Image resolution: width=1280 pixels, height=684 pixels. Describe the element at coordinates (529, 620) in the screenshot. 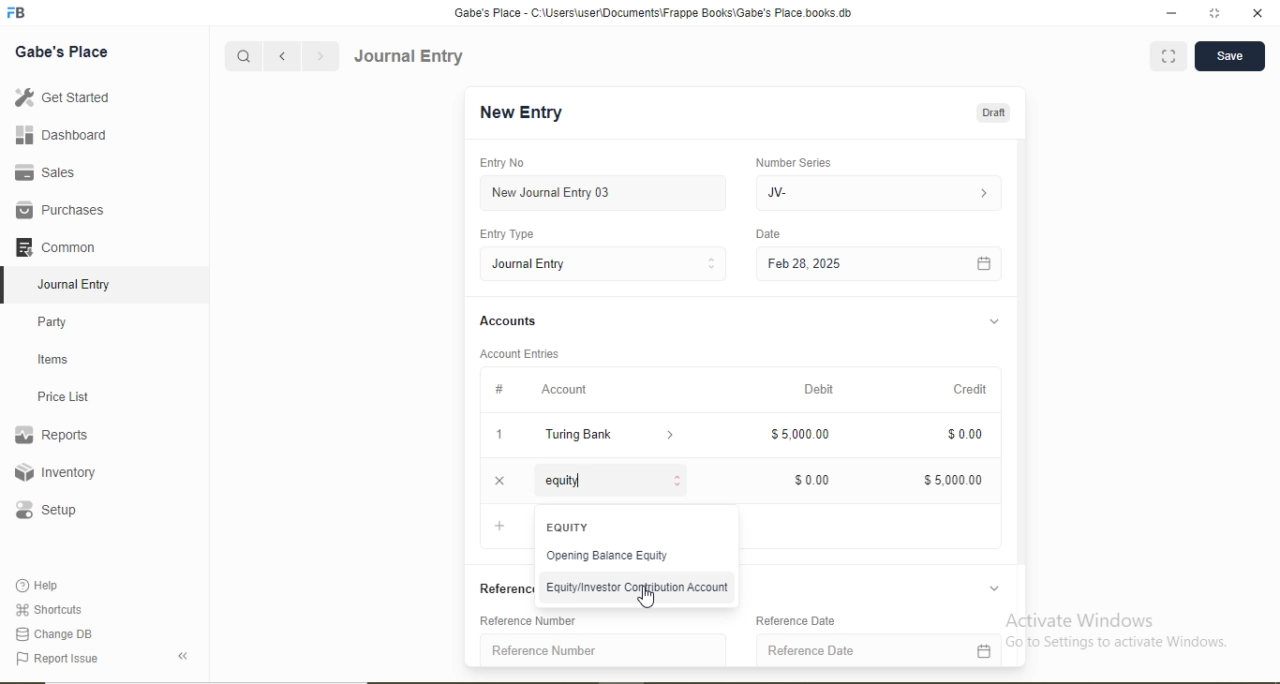

I see `Reference Number` at that location.